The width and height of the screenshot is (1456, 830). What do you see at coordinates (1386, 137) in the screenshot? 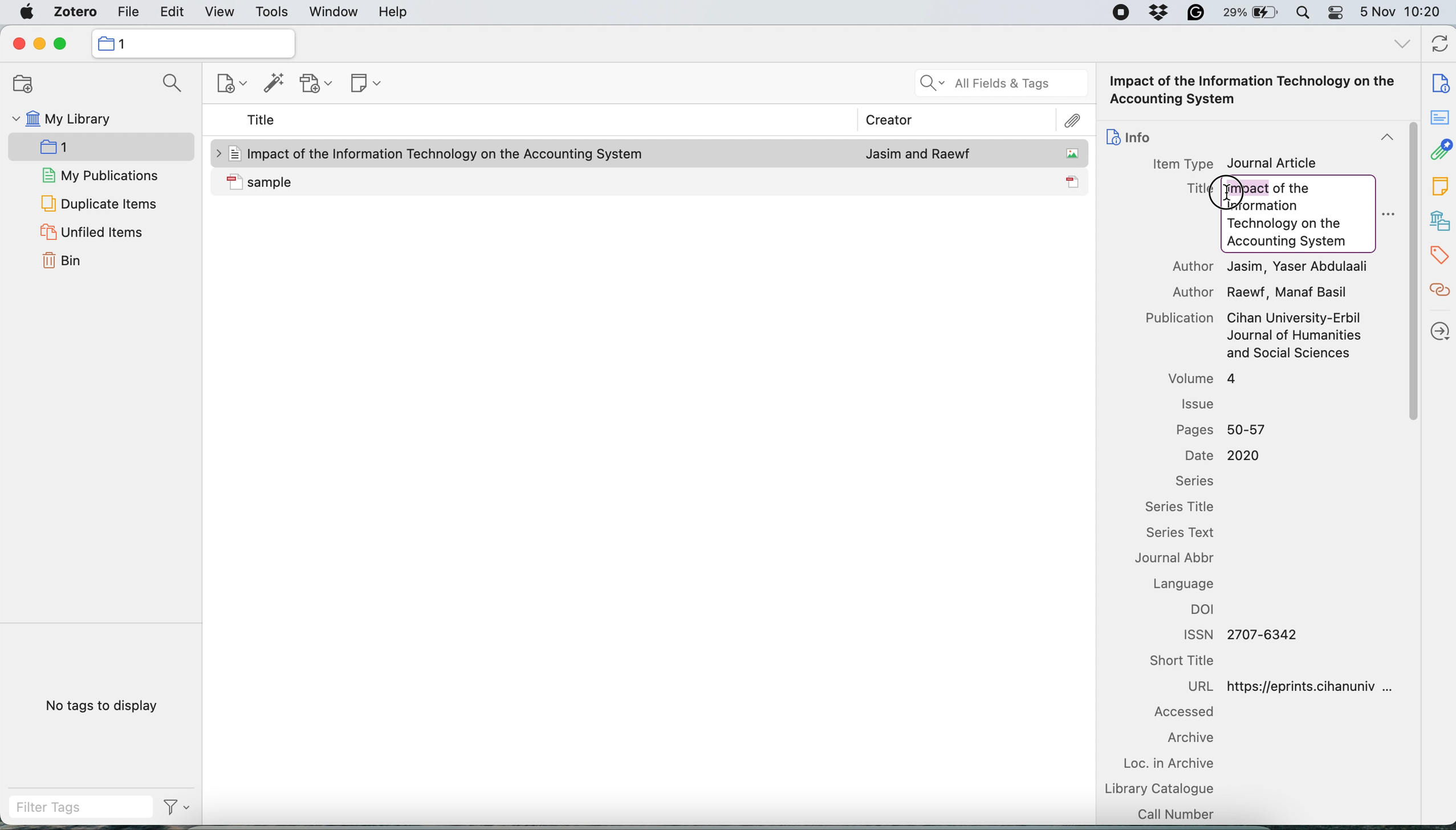
I see `collapse` at bounding box center [1386, 137].